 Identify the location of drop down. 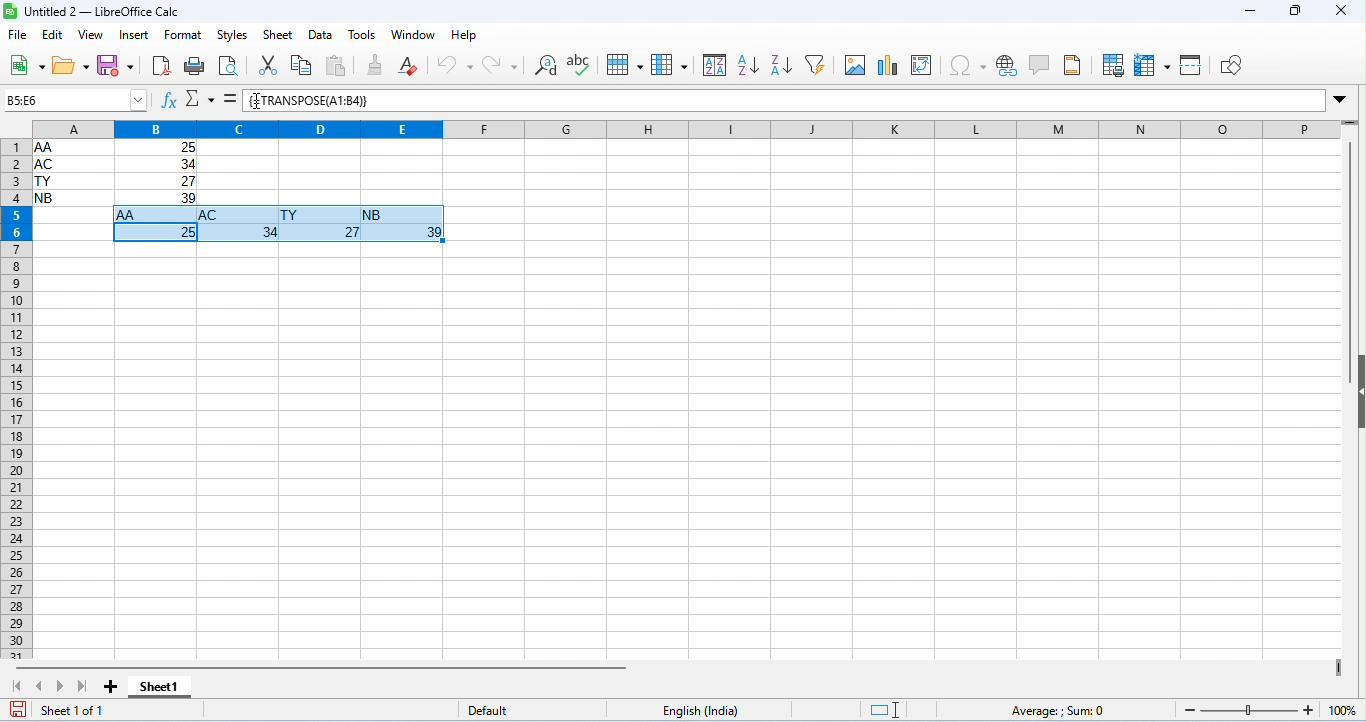
(1341, 100).